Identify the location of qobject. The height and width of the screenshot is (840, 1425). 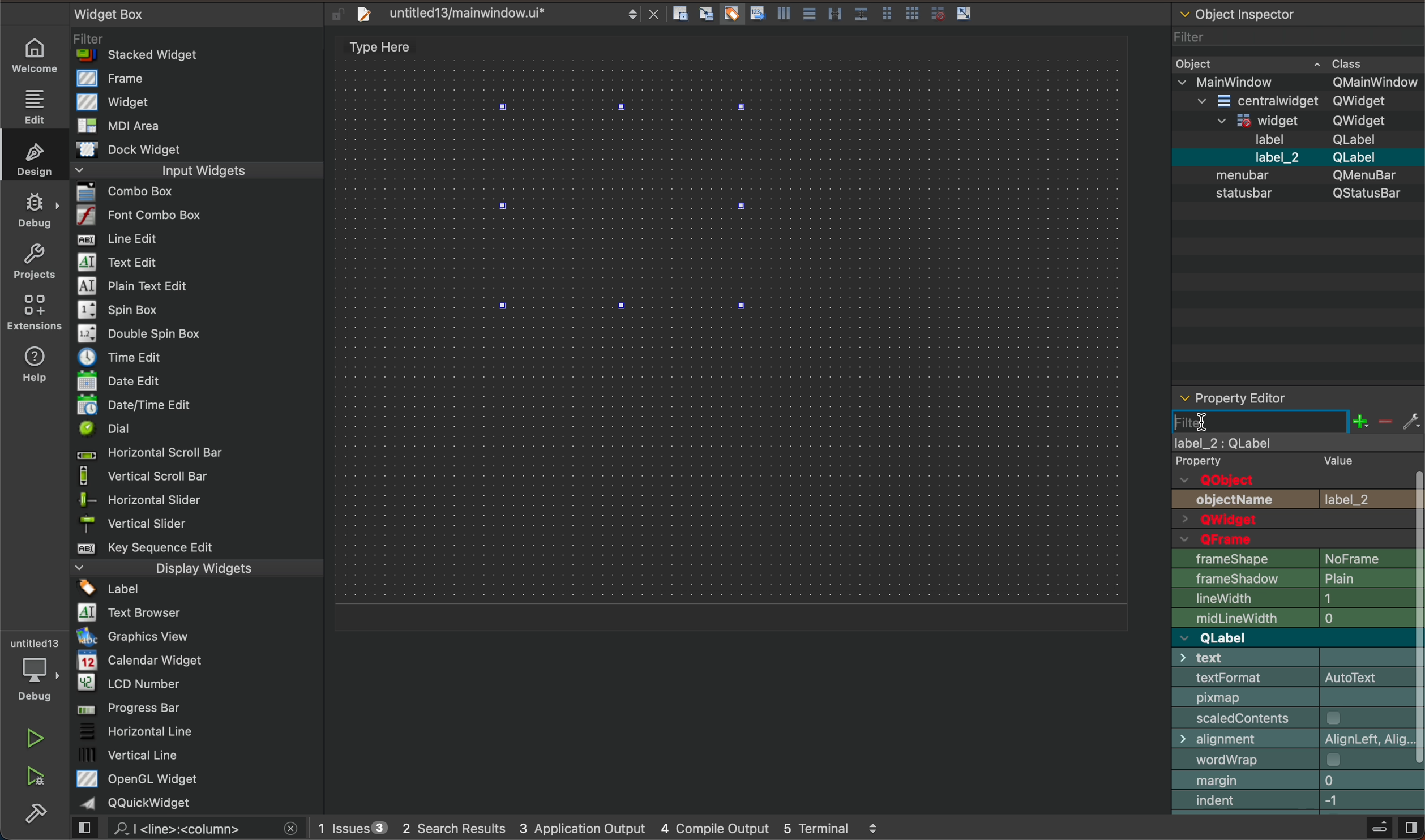
(1284, 480).